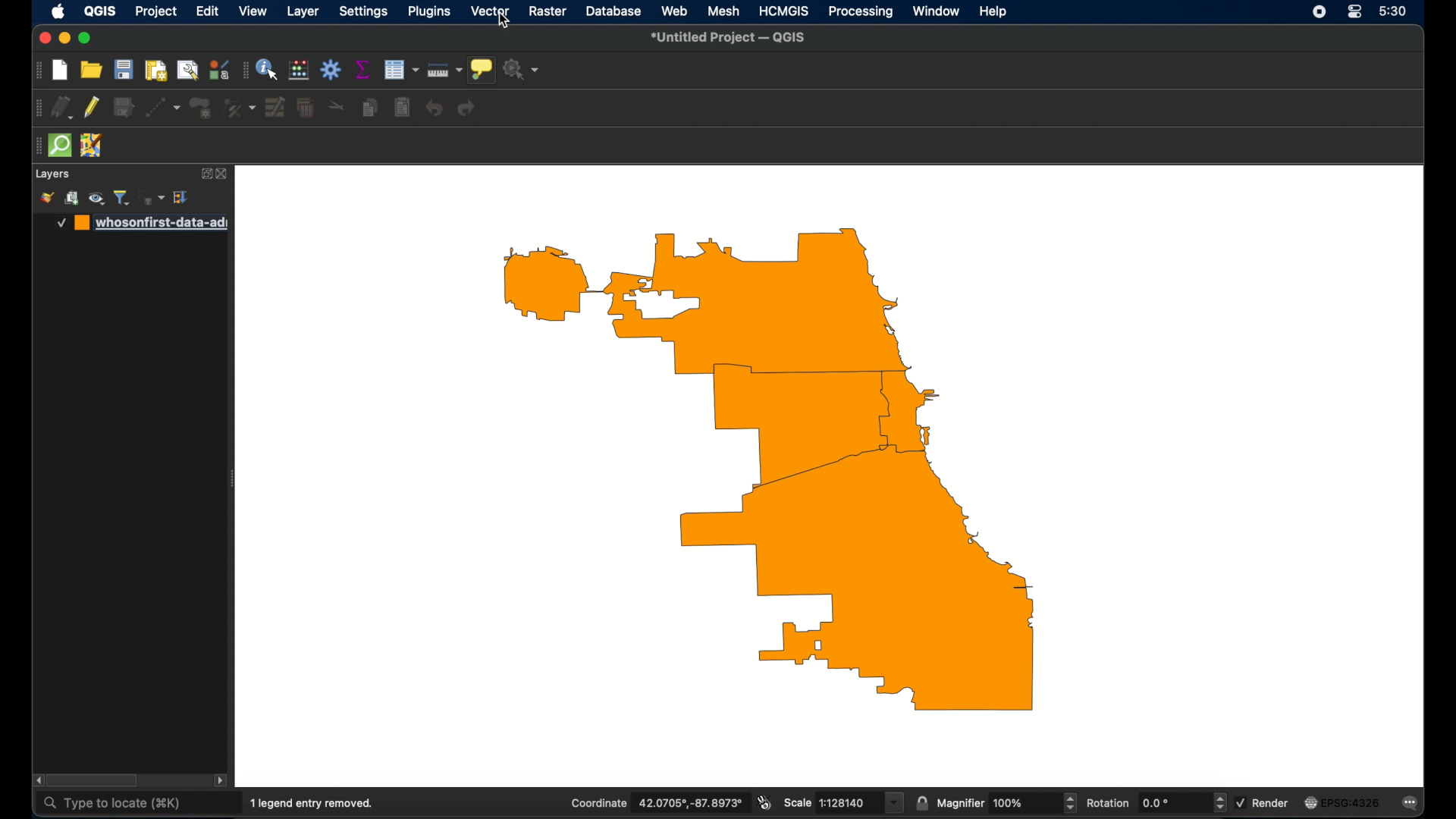  I want to click on show statistical summary, so click(362, 69).